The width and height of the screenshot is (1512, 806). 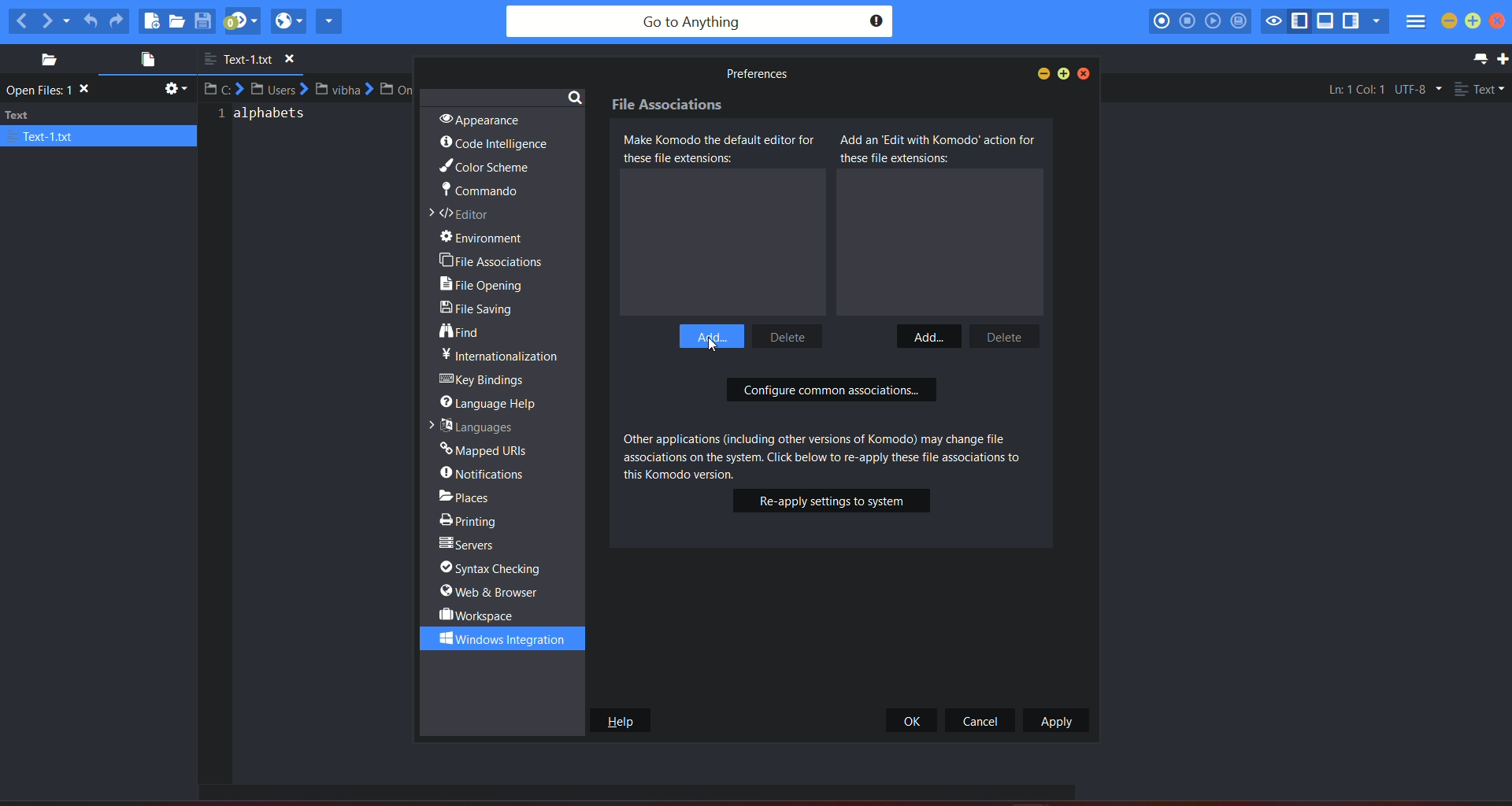 What do you see at coordinates (832, 392) in the screenshot?
I see `configure common associations` at bounding box center [832, 392].